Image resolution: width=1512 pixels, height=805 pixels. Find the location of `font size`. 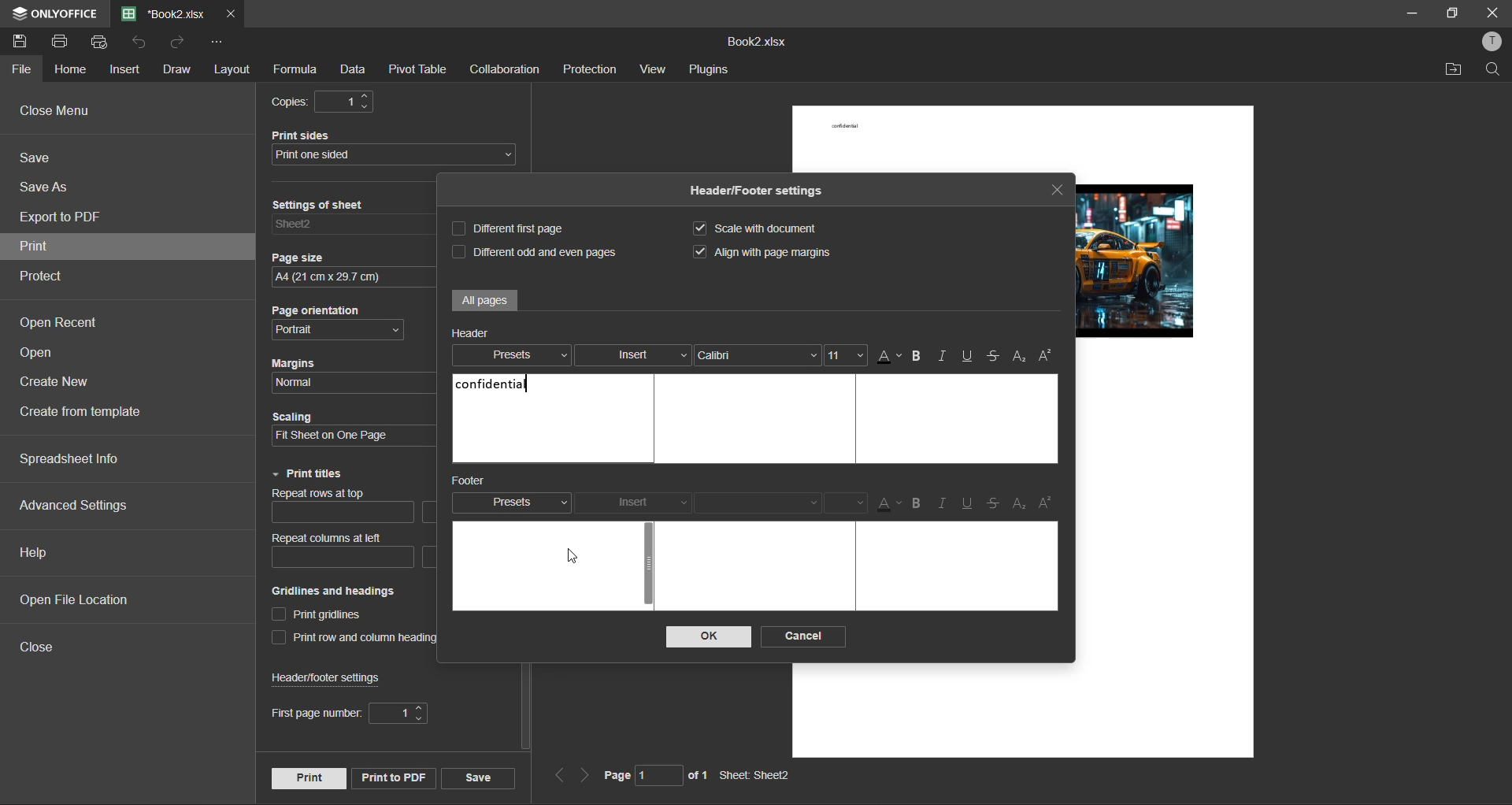

font size is located at coordinates (847, 355).